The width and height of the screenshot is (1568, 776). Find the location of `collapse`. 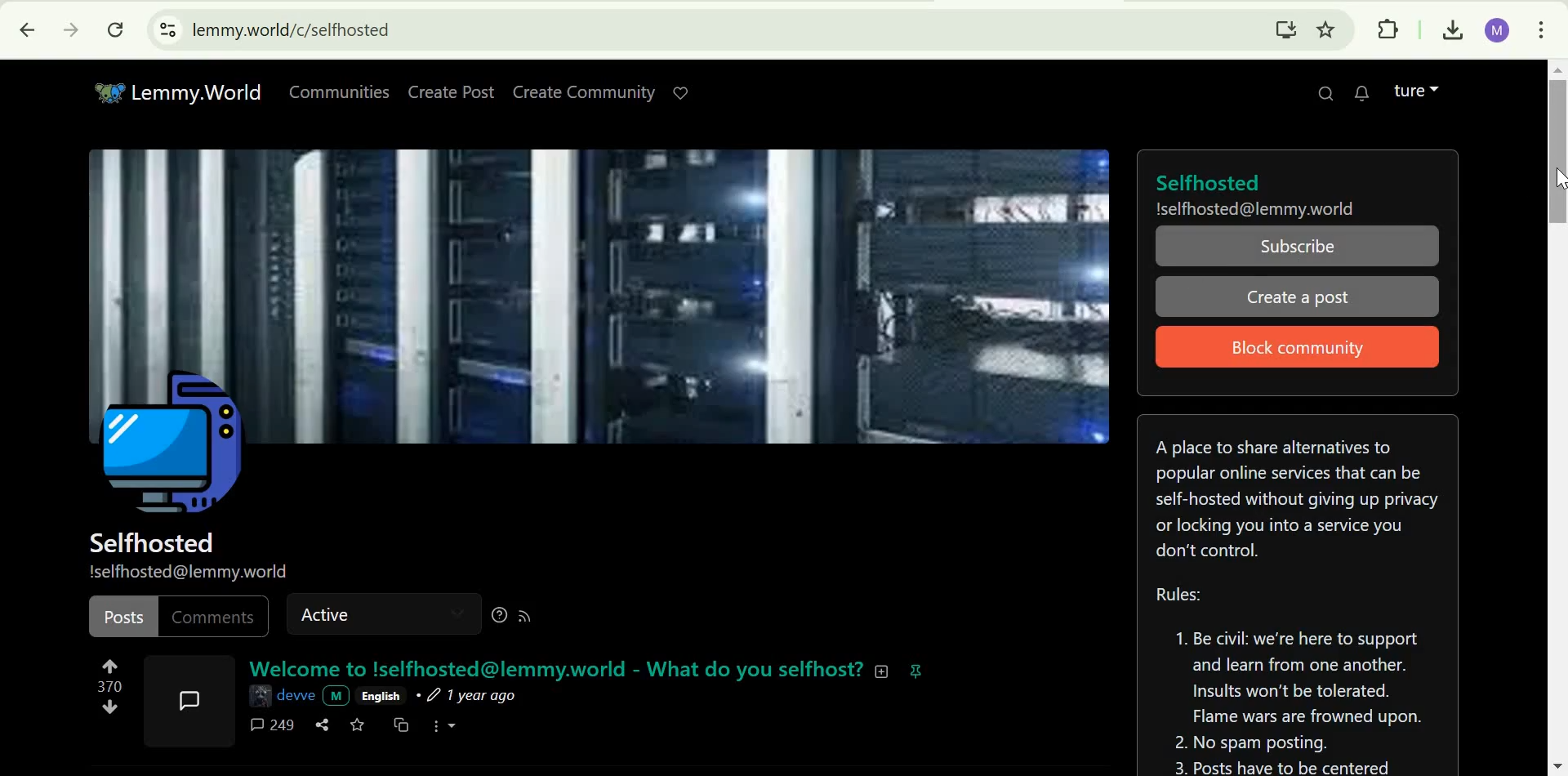

collapse is located at coordinates (883, 671).